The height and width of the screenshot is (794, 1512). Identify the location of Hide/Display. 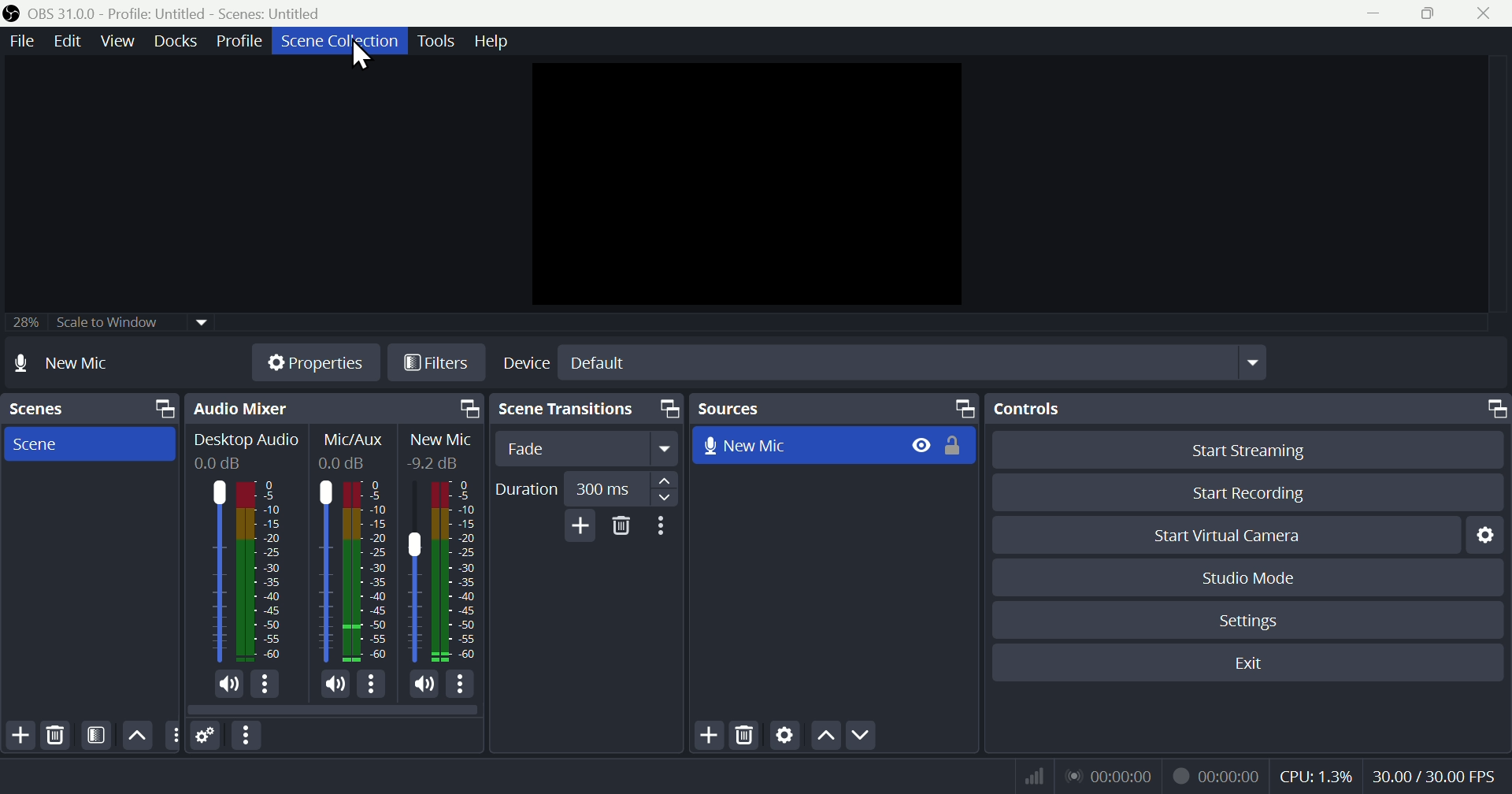
(921, 445).